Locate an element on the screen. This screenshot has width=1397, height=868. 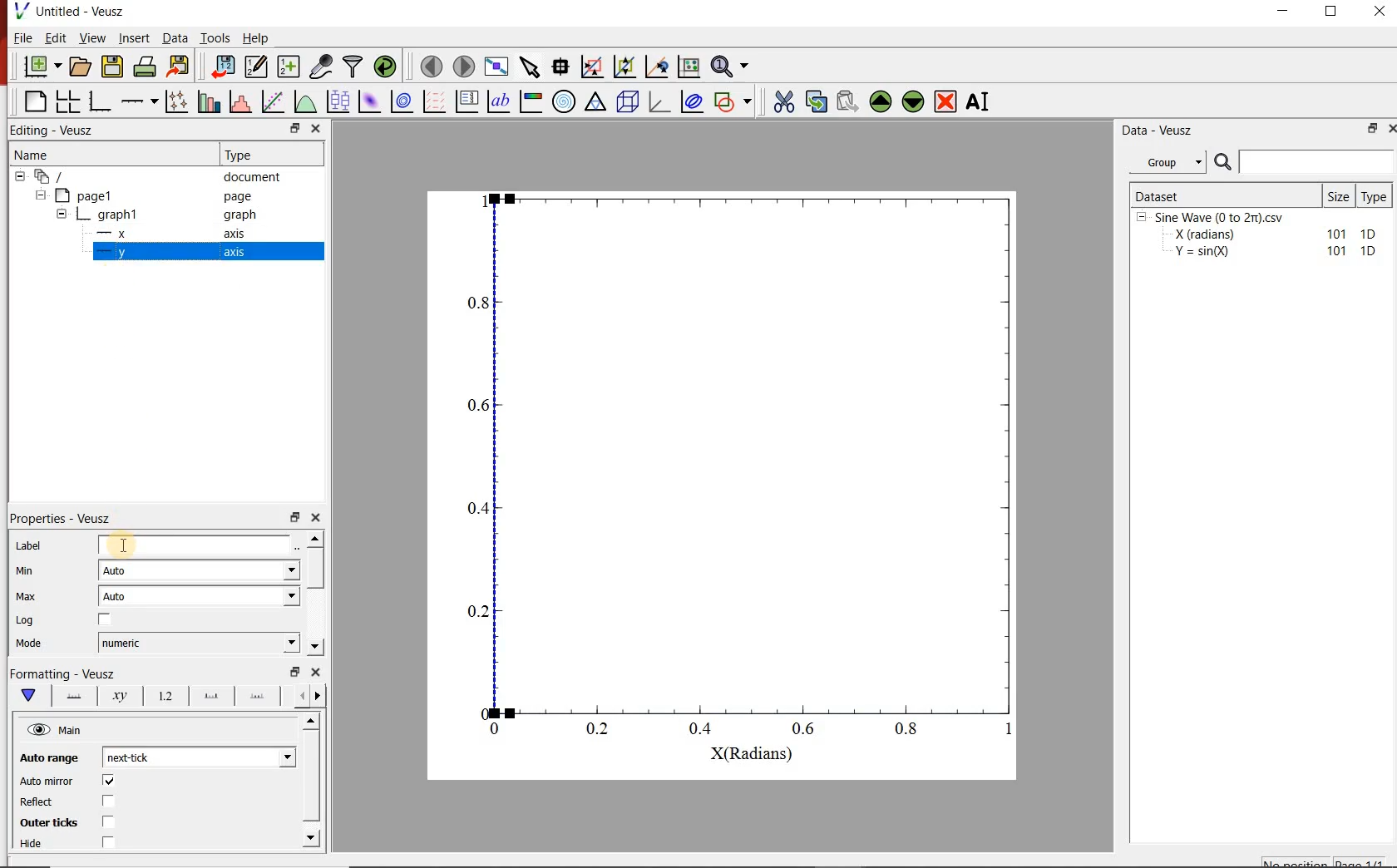
options is located at coordinates (257, 698).